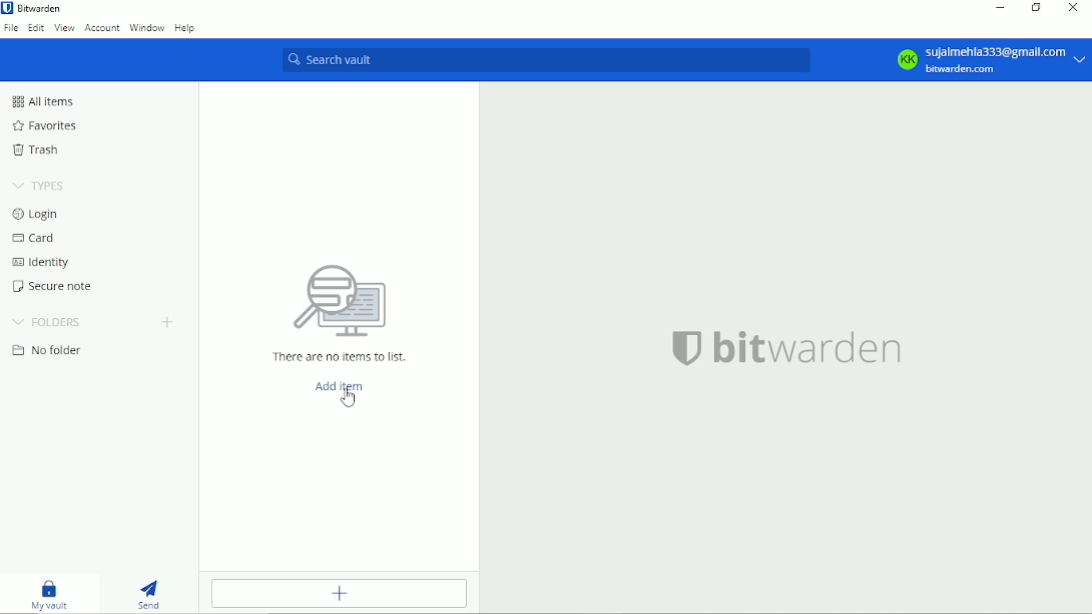  What do you see at coordinates (1001, 9) in the screenshot?
I see `Minimize` at bounding box center [1001, 9].